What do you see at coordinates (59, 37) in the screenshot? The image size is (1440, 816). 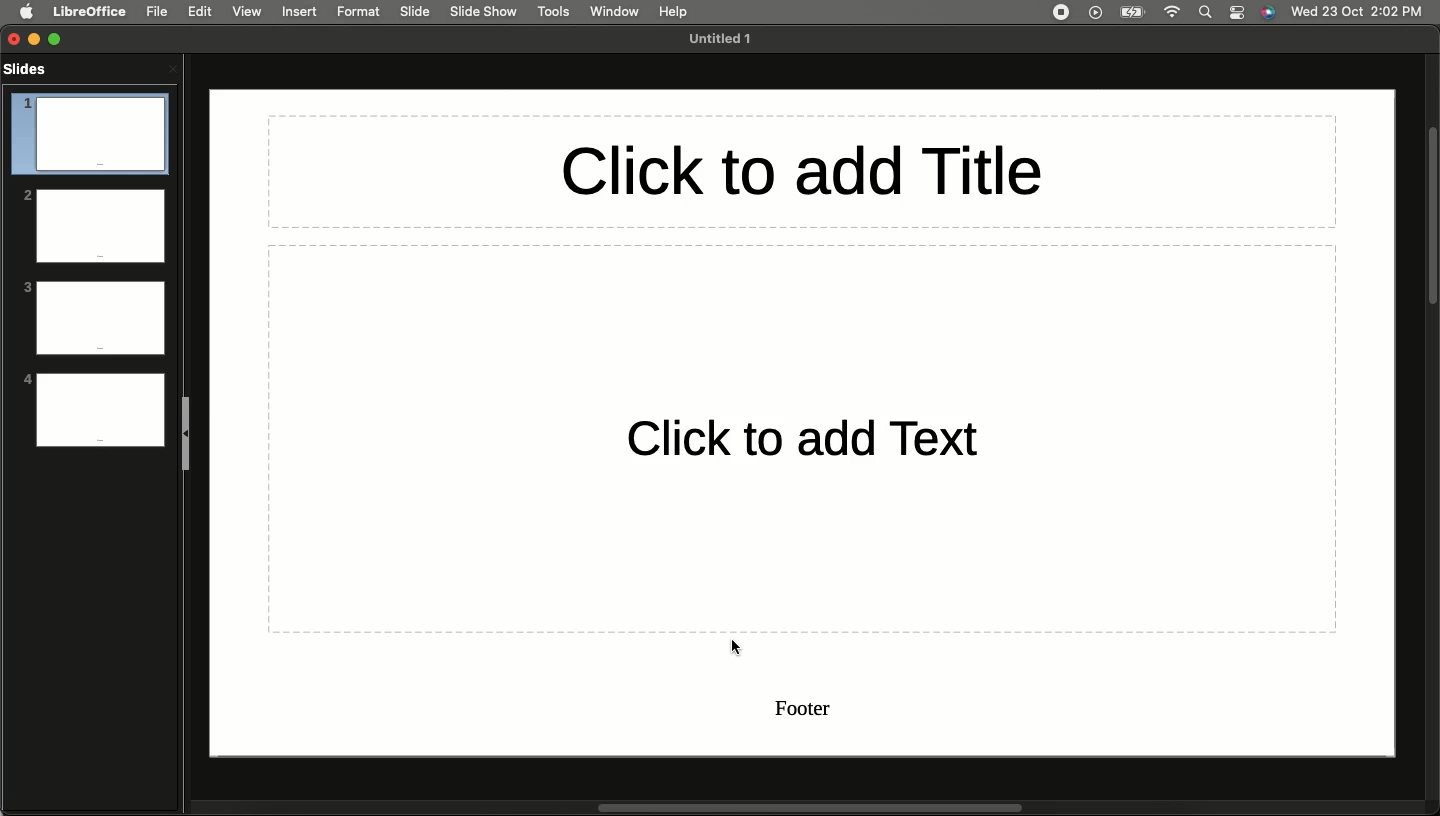 I see `Expand` at bounding box center [59, 37].